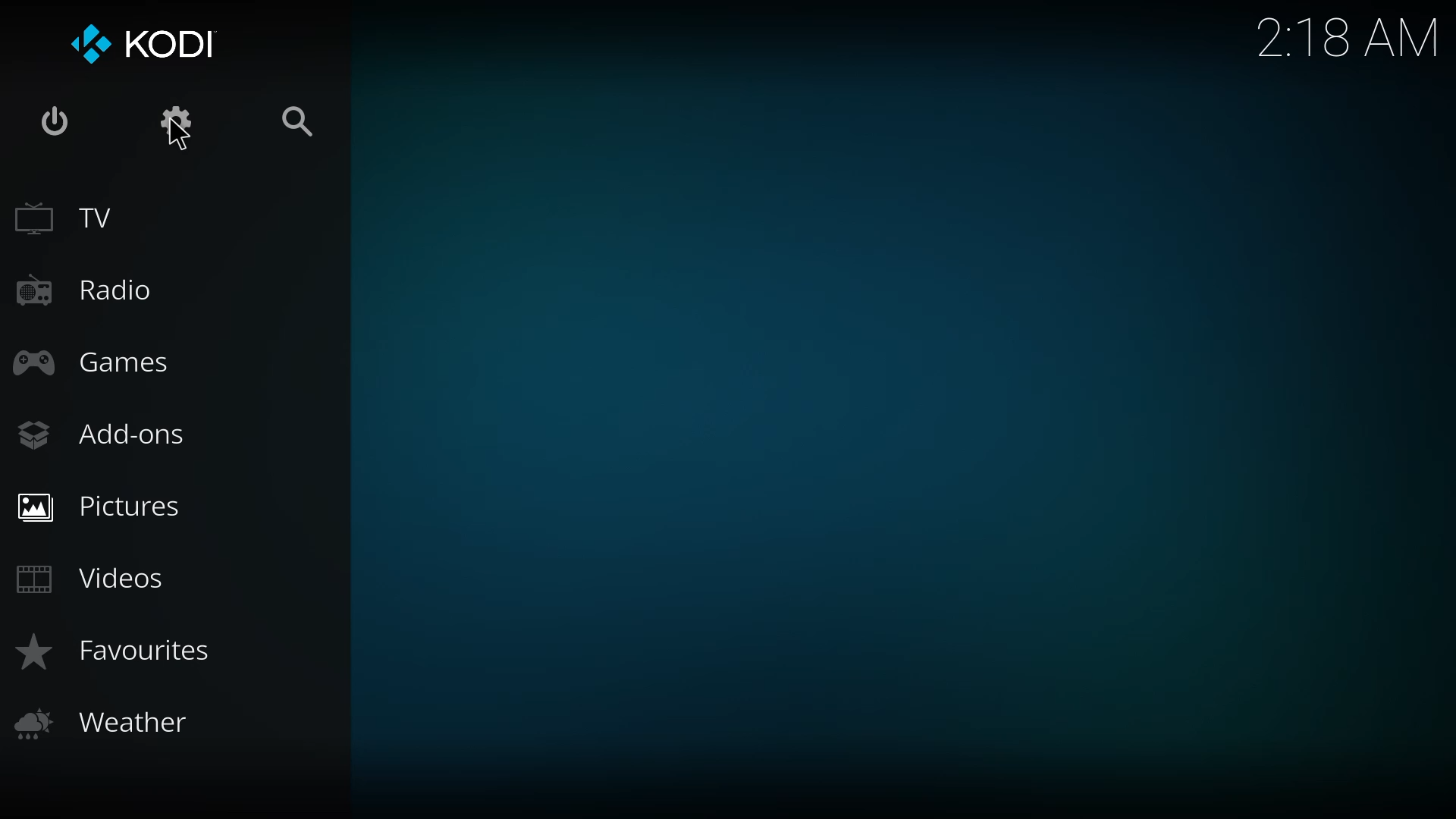  What do you see at coordinates (105, 432) in the screenshot?
I see `add-ons` at bounding box center [105, 432].